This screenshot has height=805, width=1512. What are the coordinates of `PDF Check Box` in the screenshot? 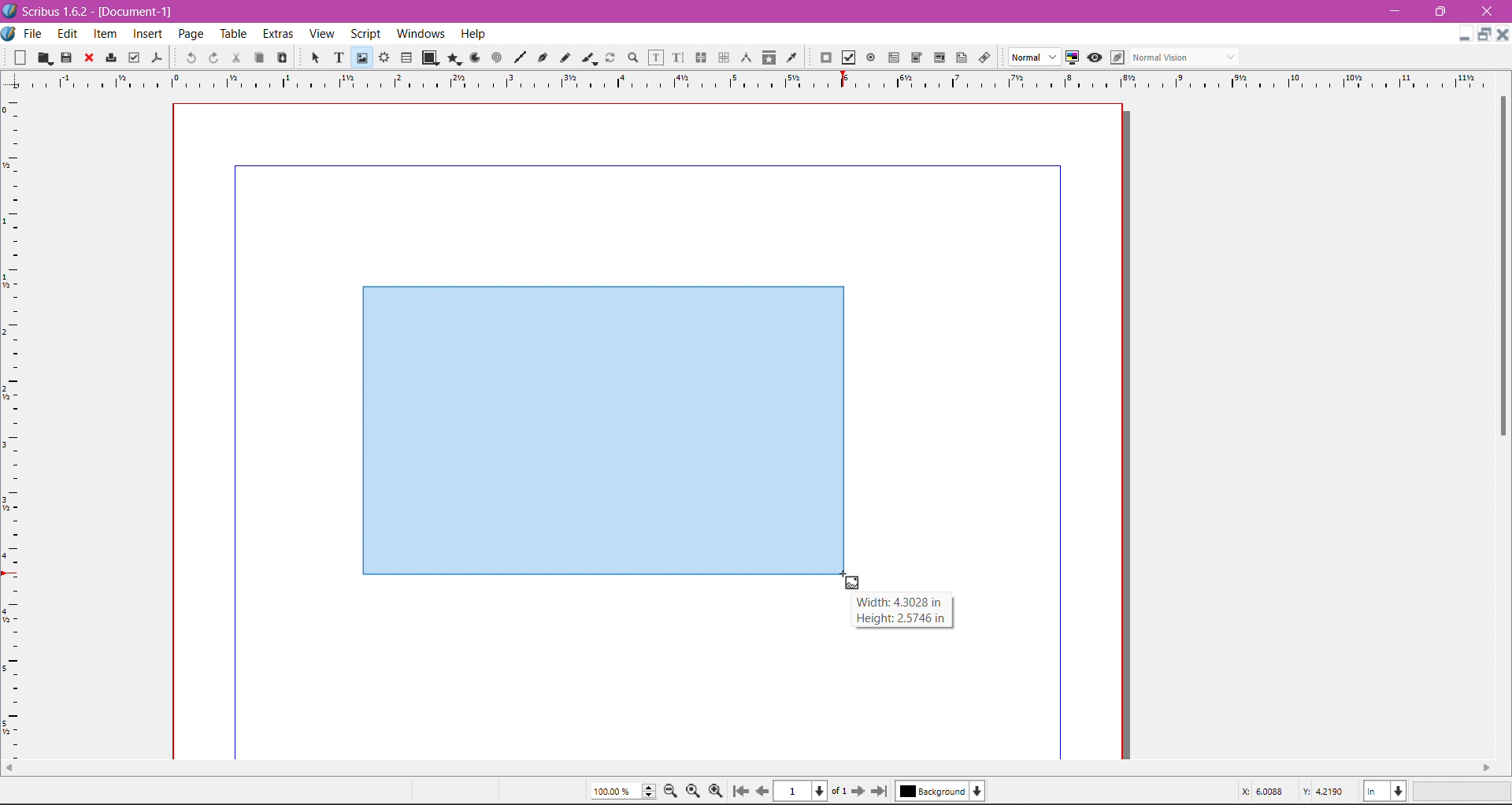 It's located at (848, 57).